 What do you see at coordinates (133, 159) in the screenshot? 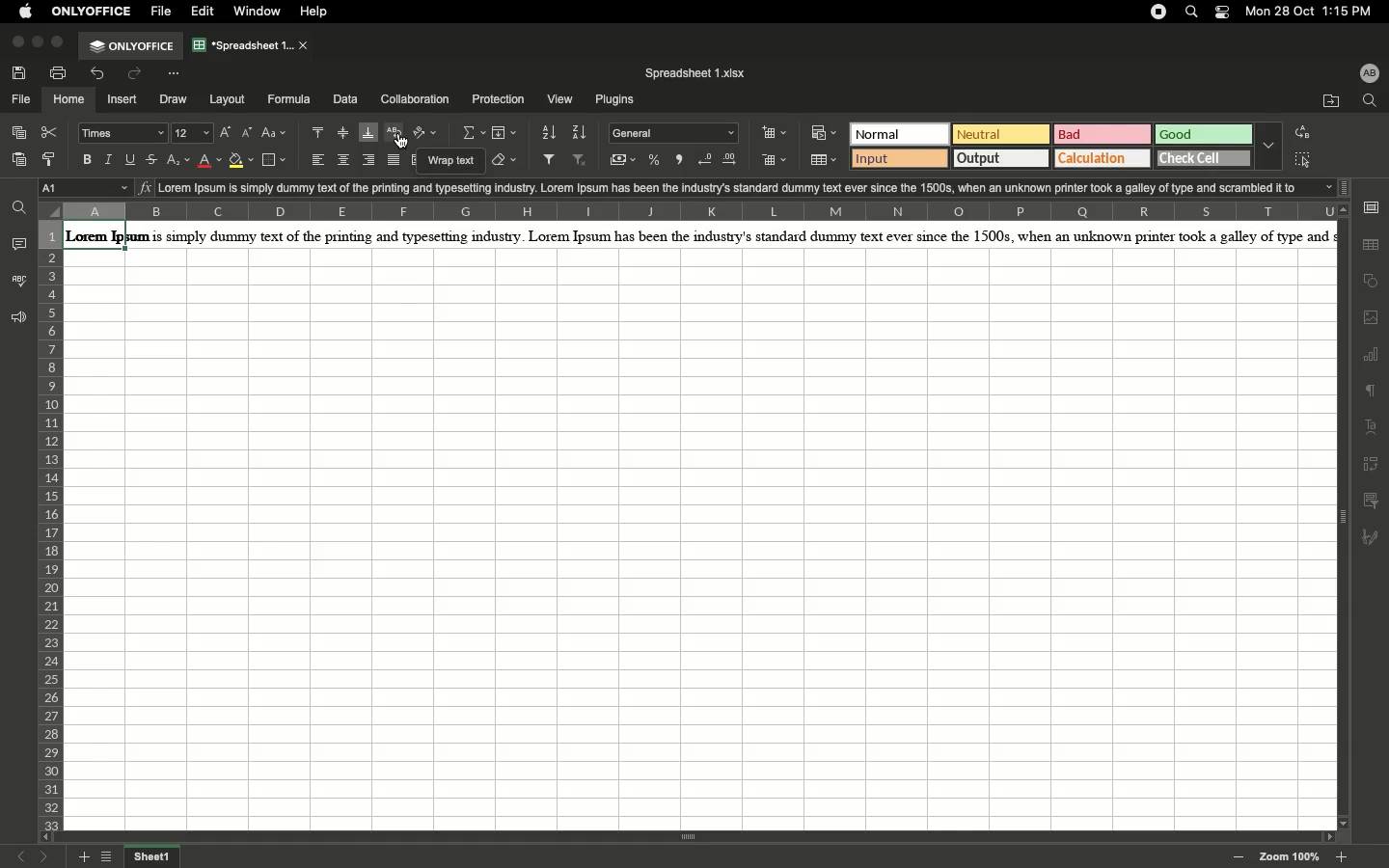
I see `Underline` at bounding box center [133, 159].